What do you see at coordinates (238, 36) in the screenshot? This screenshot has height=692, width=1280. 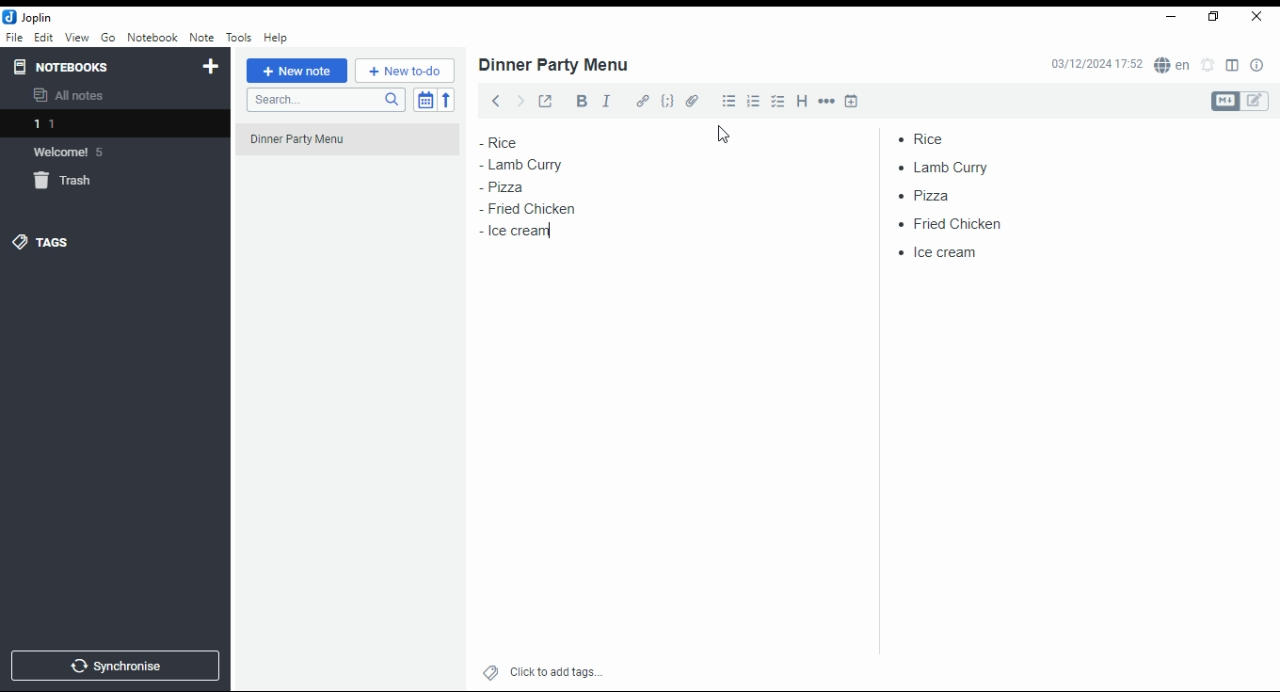 I see `tools` at bounding box center [238, 36].